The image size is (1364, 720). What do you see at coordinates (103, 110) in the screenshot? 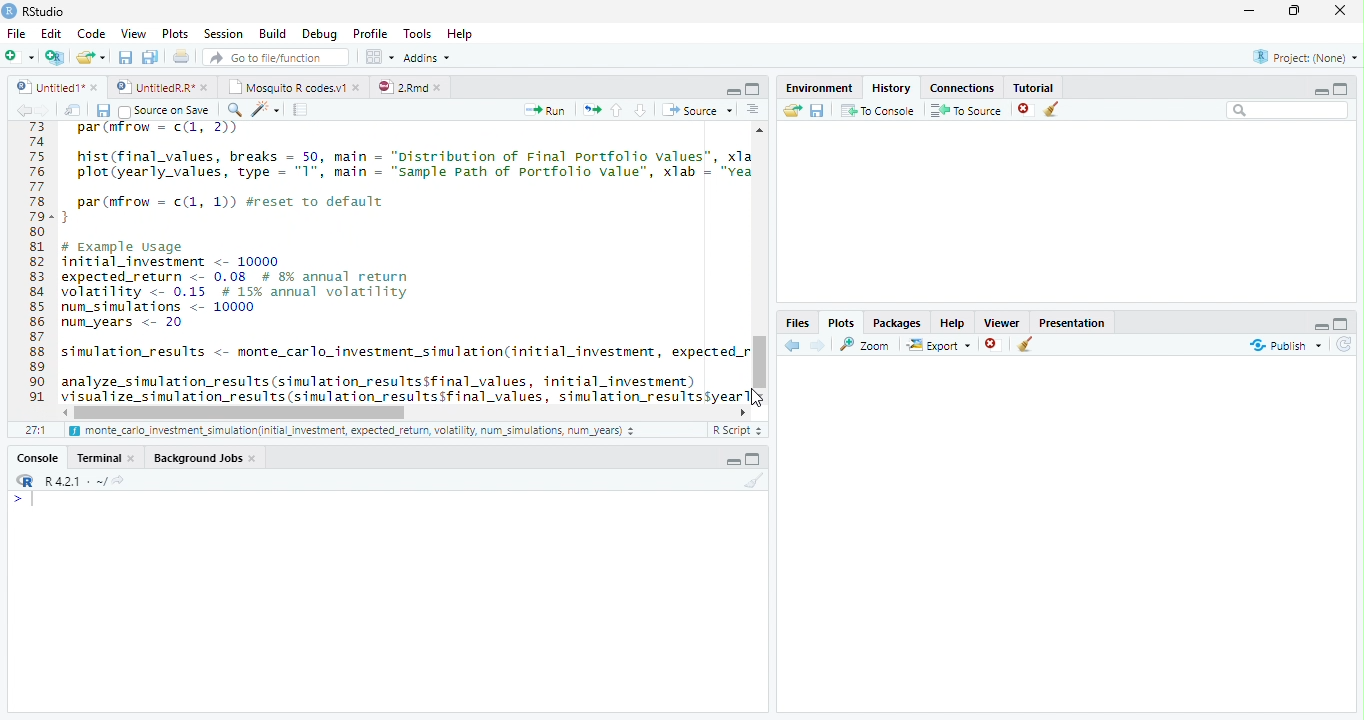
I see `Save` at bounding box center [103, 110].